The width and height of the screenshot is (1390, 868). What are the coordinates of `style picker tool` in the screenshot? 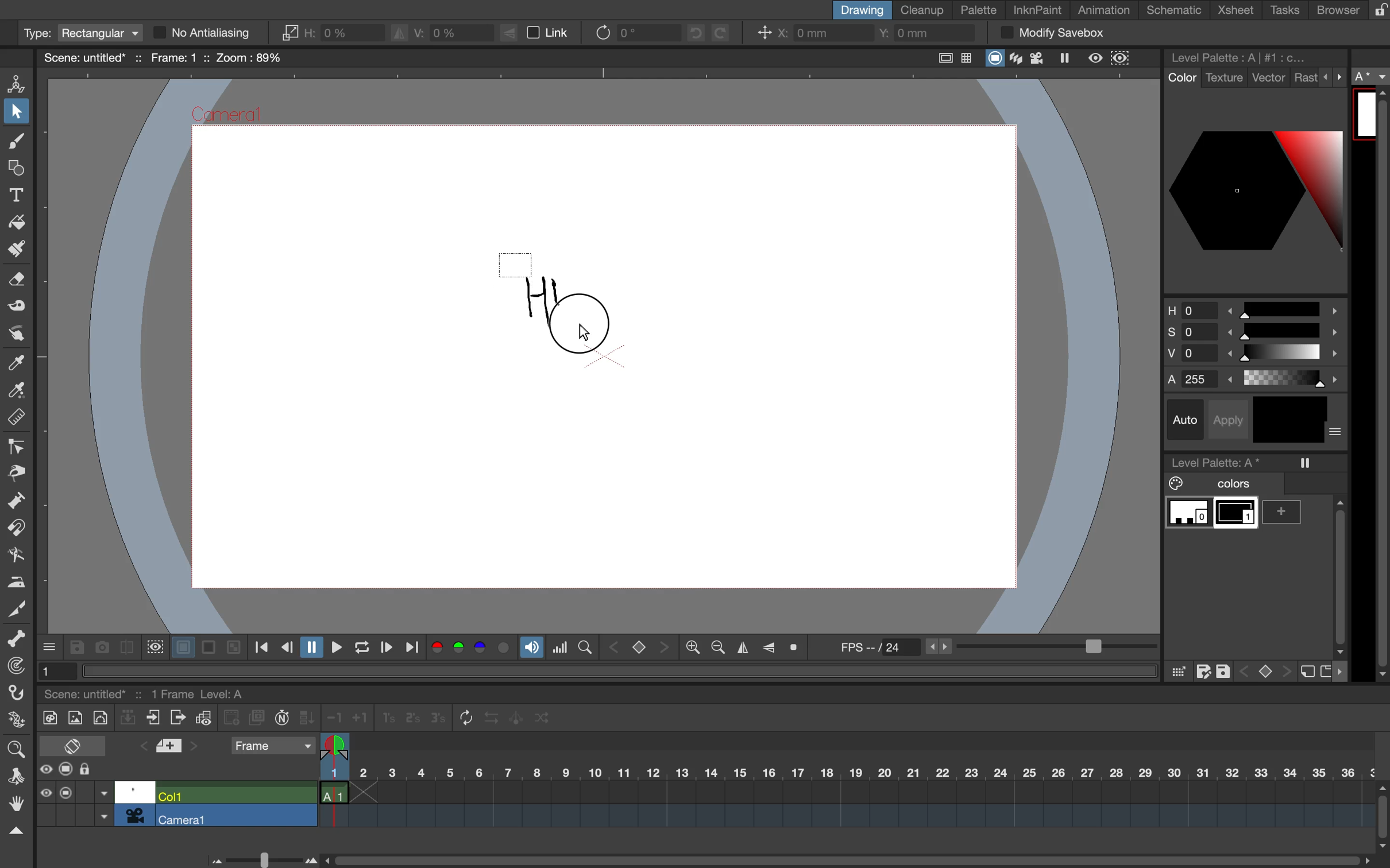 It's located at (17, 363).